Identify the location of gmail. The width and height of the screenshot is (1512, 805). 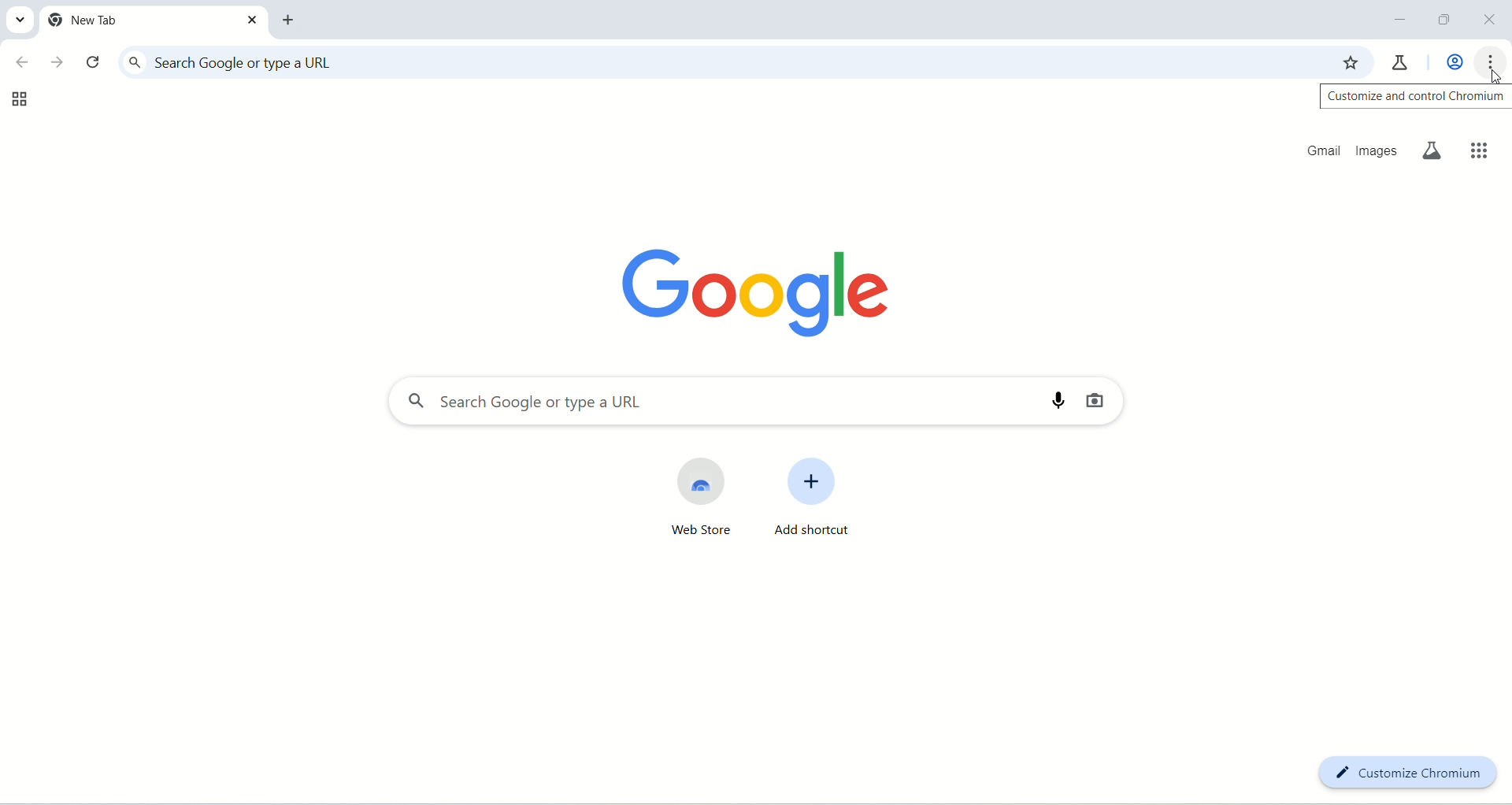
(1316, 150).